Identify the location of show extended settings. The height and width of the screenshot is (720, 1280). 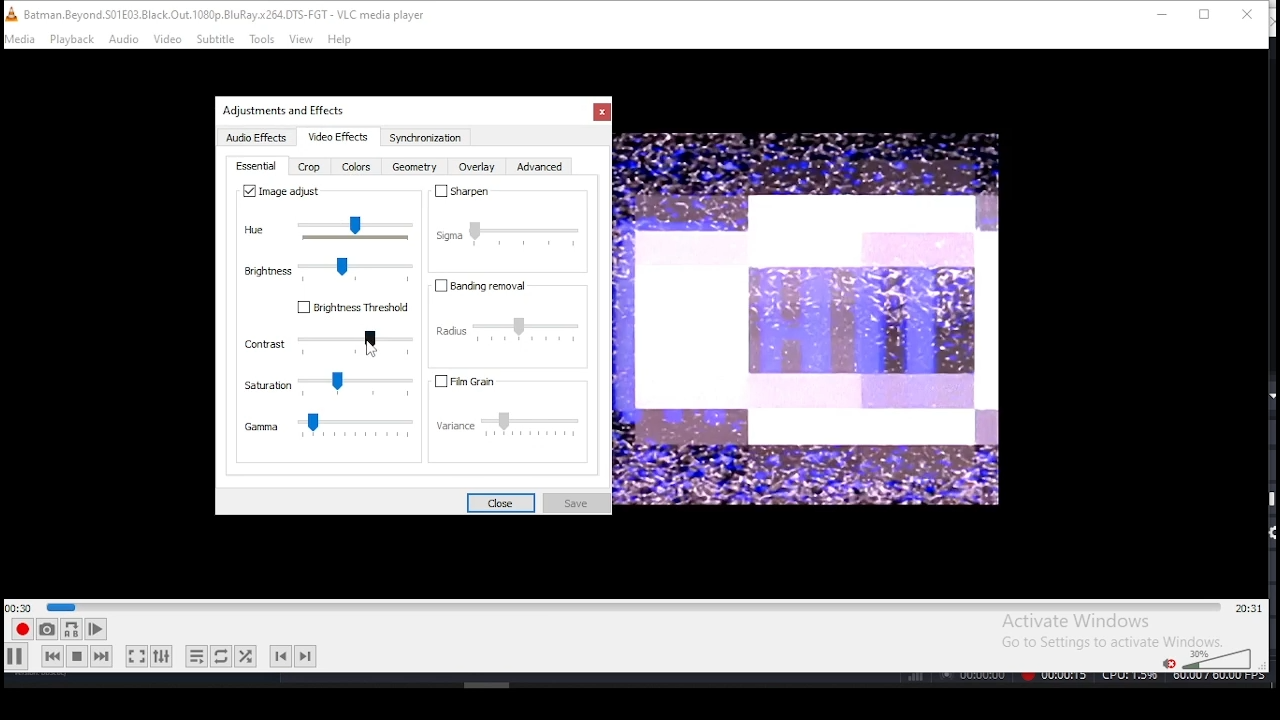
(163, 657).